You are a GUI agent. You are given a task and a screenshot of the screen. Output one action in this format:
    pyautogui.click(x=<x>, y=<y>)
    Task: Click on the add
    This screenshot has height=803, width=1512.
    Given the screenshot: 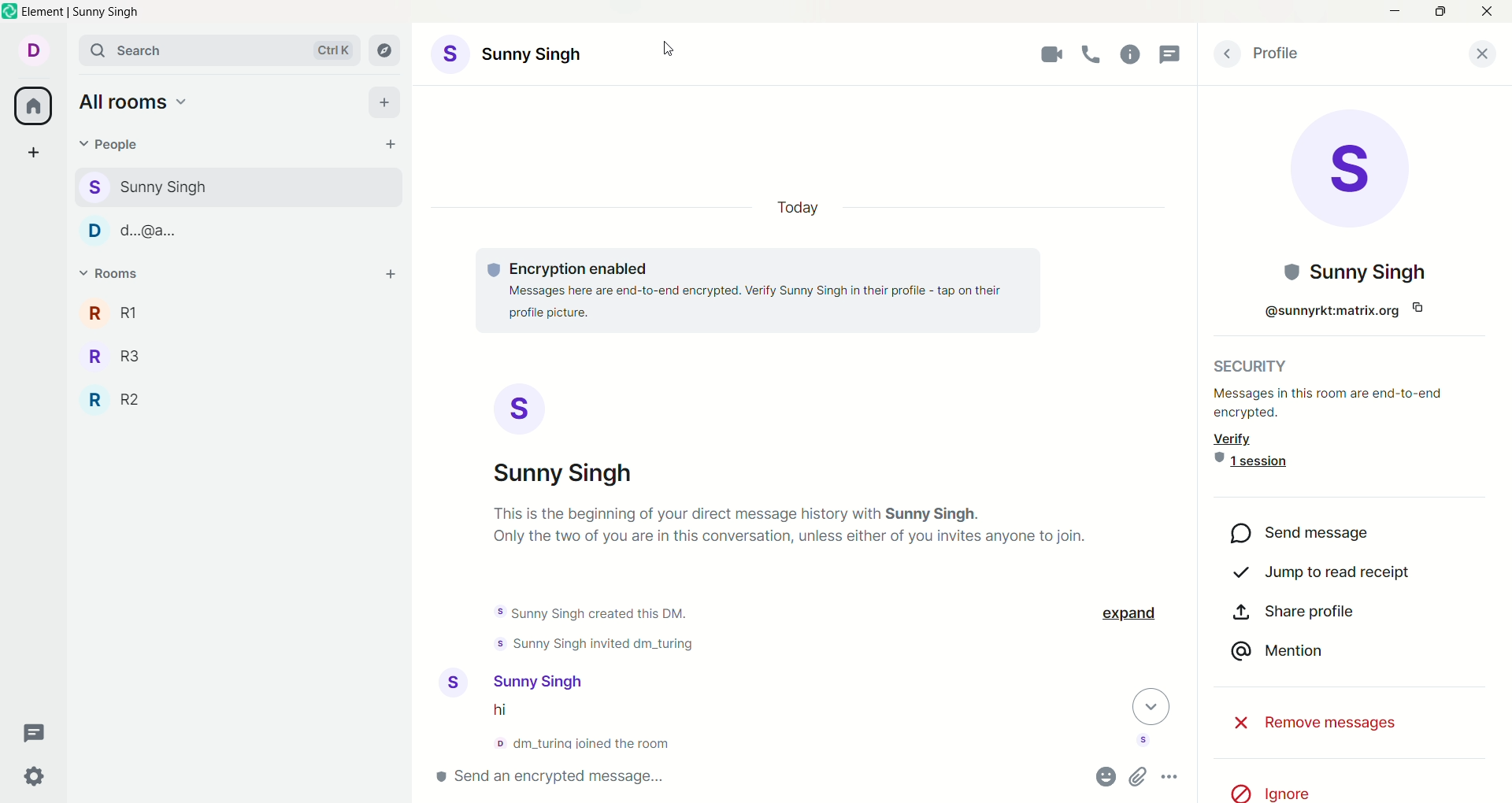 What is the action you would take?
    pyautogui.click(x=387, y=103)
    